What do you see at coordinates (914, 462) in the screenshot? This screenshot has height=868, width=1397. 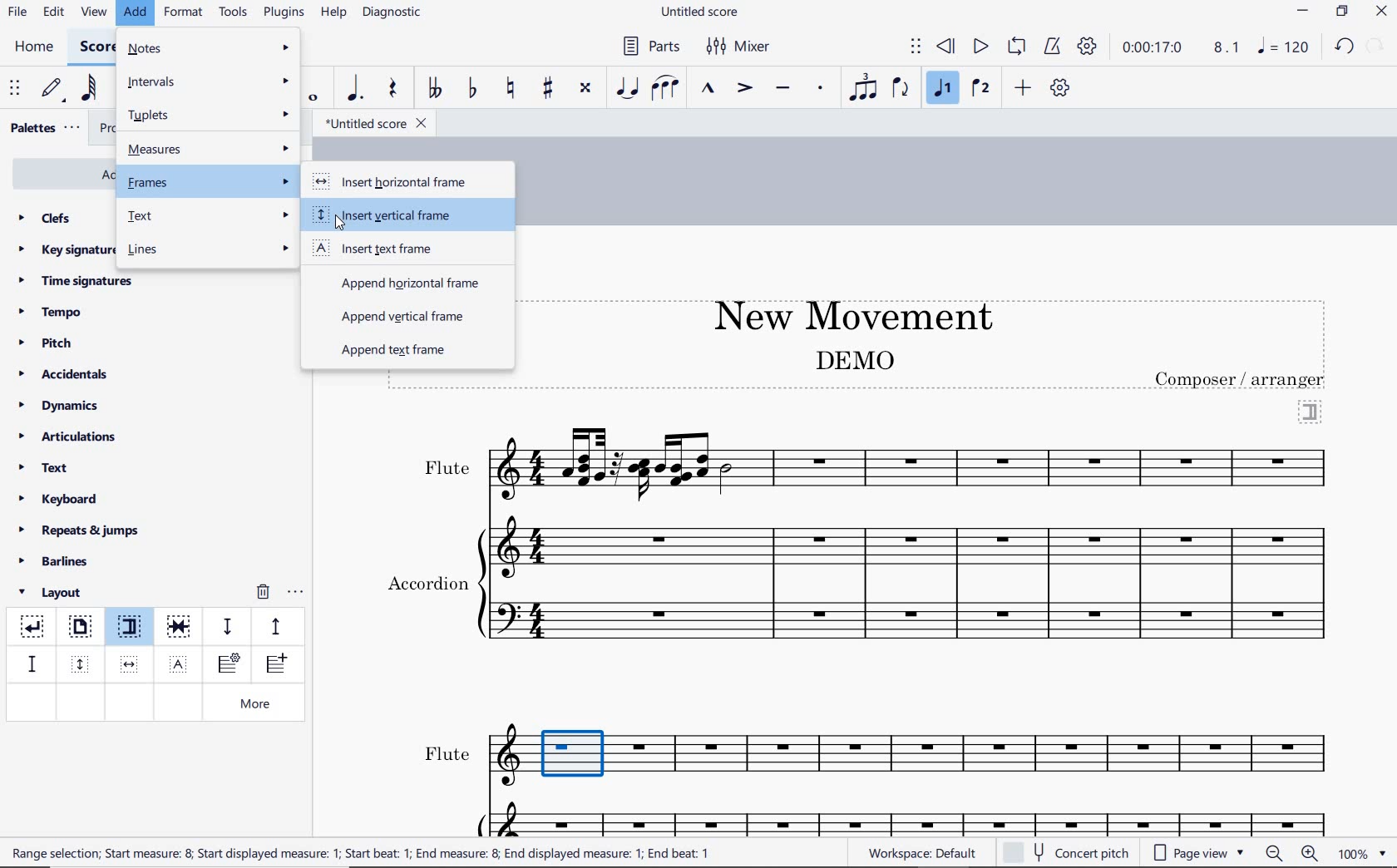 I see `Instrument: Flute` at bounding box center [914, 462].